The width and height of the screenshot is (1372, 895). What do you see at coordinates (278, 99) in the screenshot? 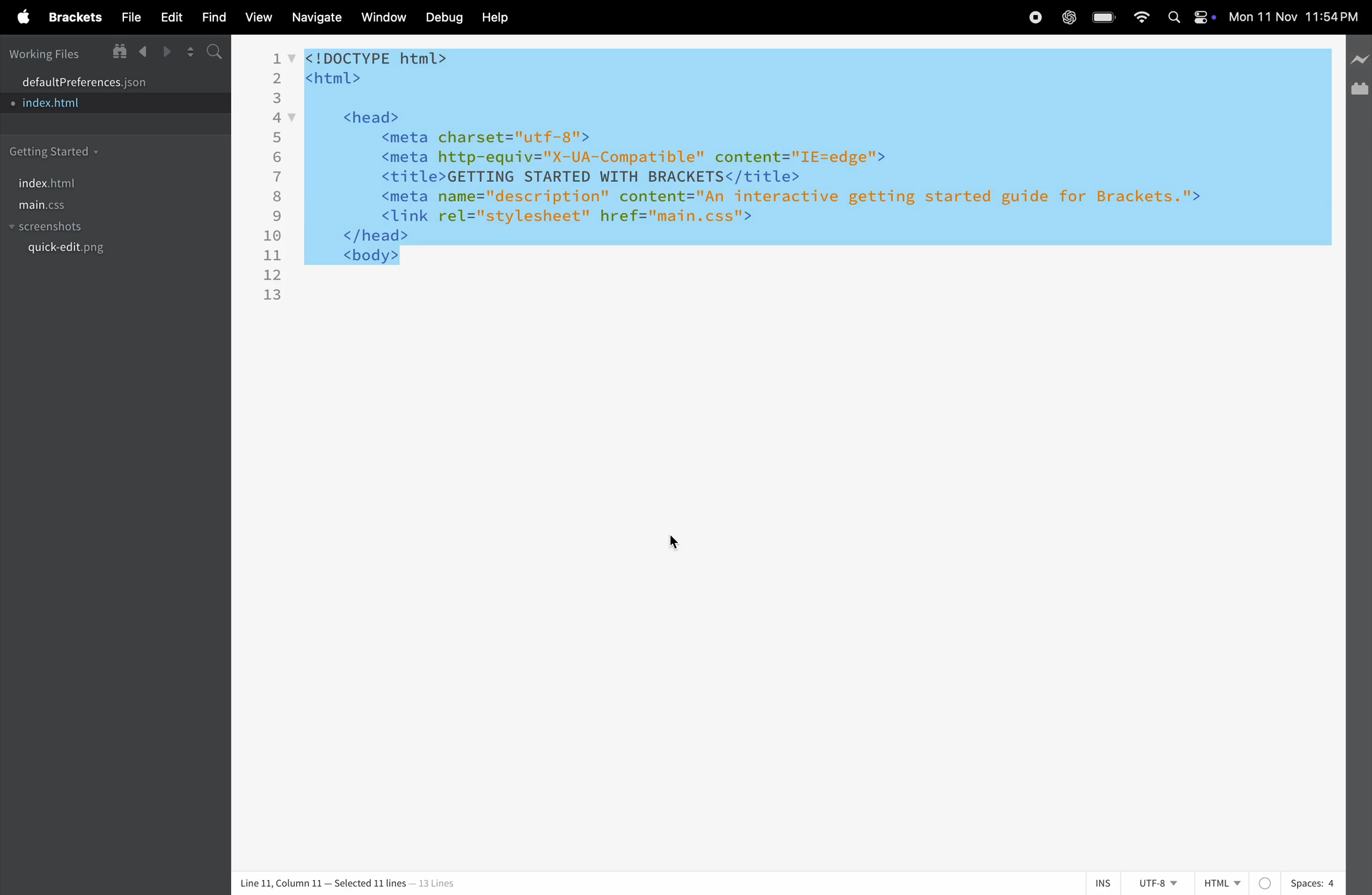
I see `3` at bounding box center [278, 99].